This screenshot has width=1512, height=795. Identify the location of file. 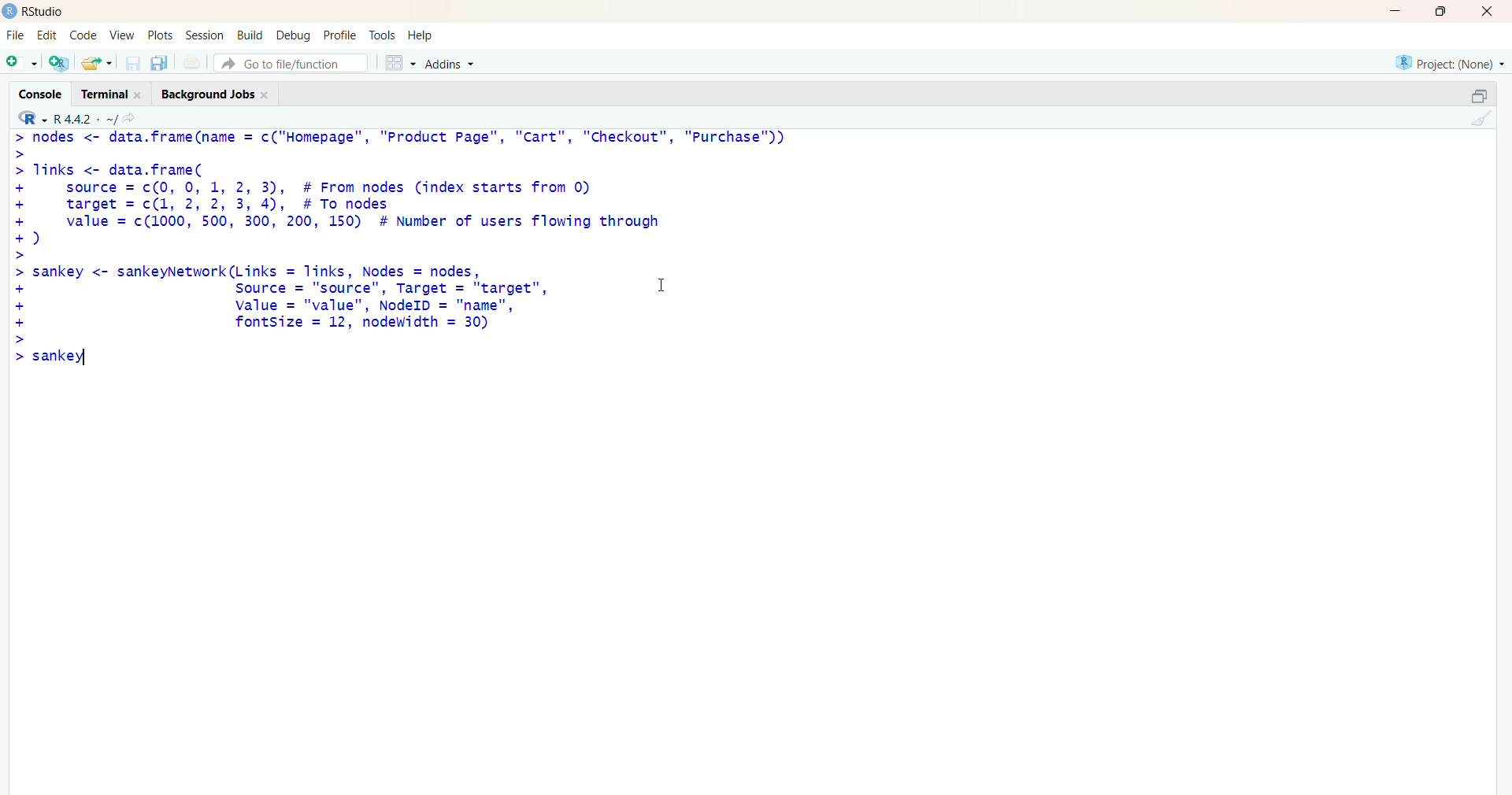
(15, 32).